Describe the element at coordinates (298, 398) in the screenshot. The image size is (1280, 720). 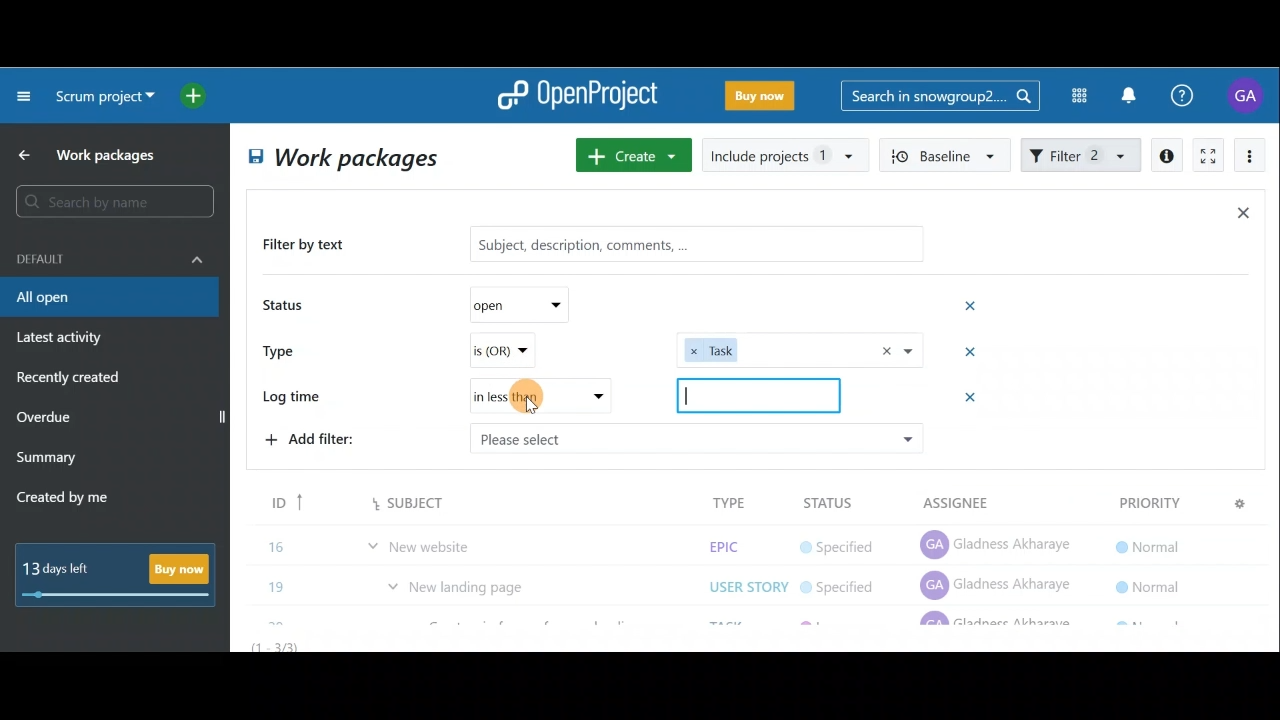
I see `Log time` at that location.